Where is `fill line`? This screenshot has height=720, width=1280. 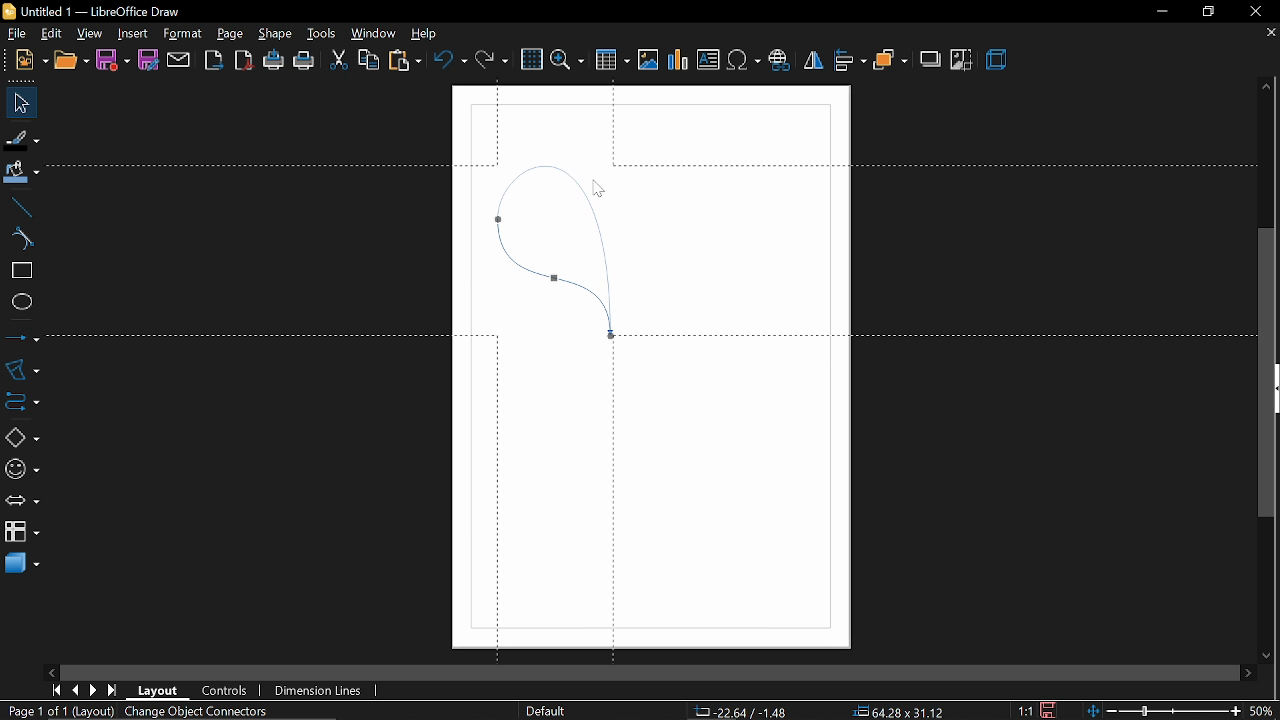
fill line is located at coordinates (23, 138).